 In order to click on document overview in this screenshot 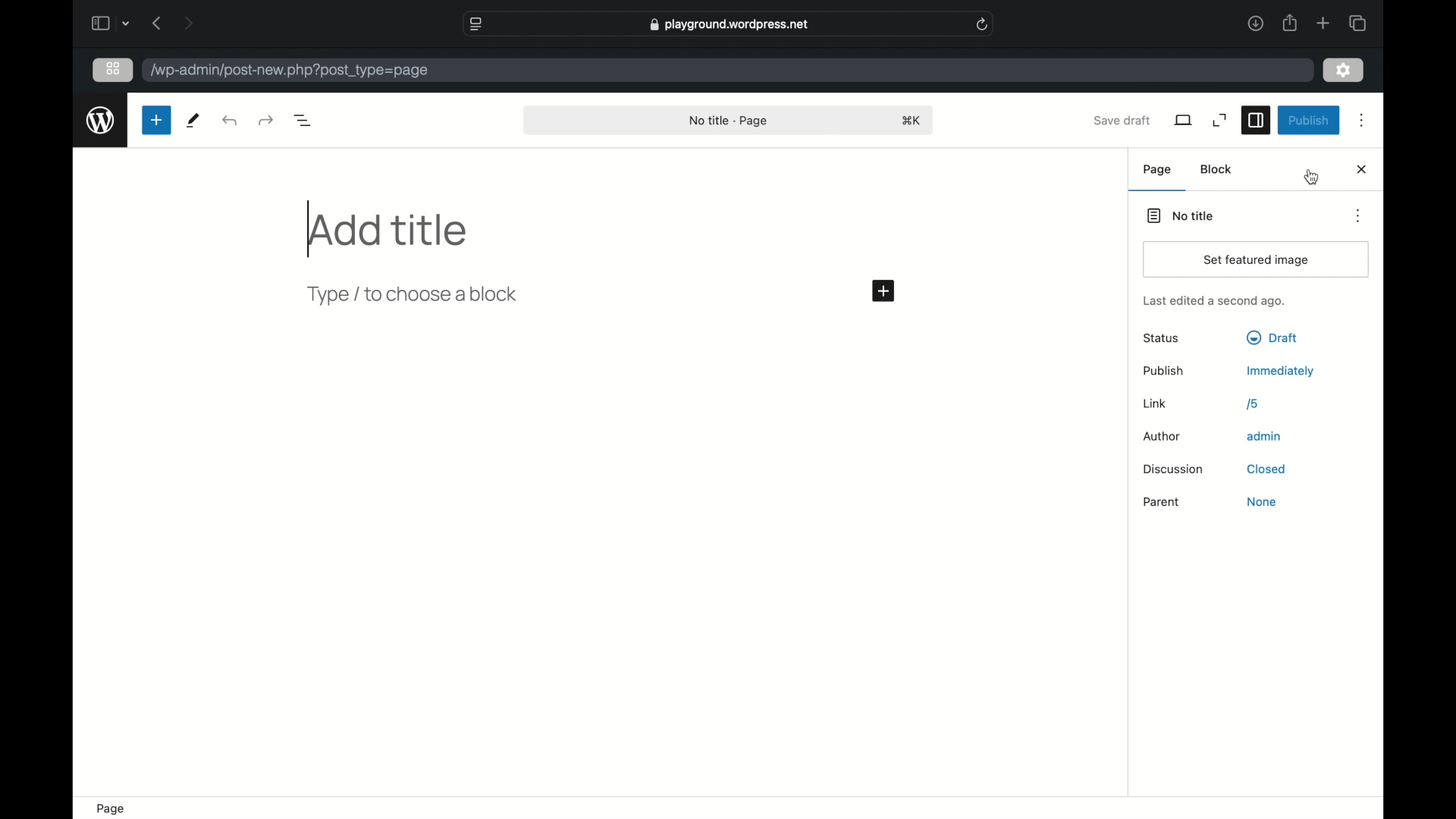, I will do `click(305, 121)`.